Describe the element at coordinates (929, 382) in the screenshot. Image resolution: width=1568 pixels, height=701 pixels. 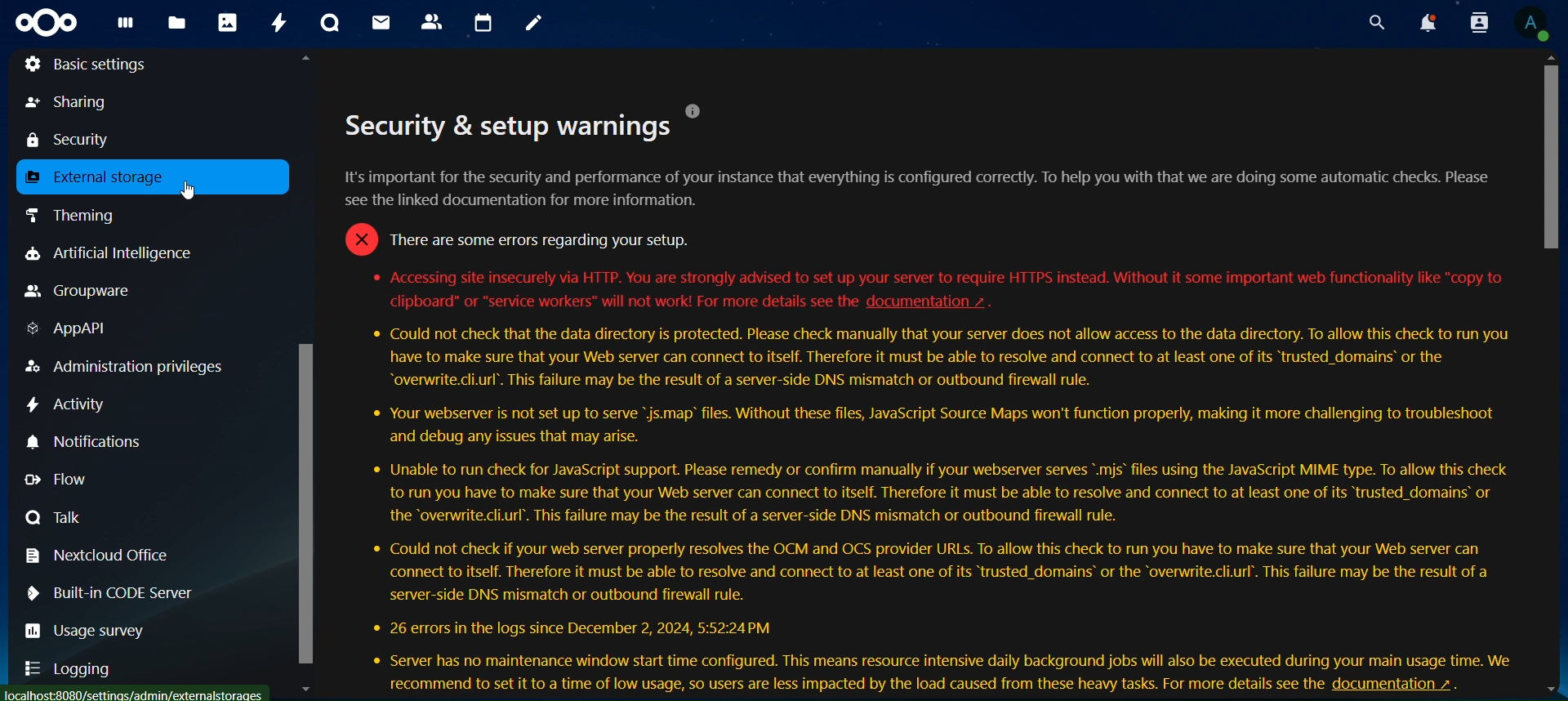
I see `. . [J]
Security & setup warnings
] It's important for the security and performance of your instance that everything is configured correctly. To help you with that we are doing some automatic checks. Please
see the linked documentation for more information.
[x] There are some errors regarding your setup.
e

* Accessing site insecurely via HTTP. You are strongly advised to set up your server to require HTTPS instead. Without it some important web functionality like “copy to
clipboard" or "service workers" will not work! For more details see the documentation ~ .

* Could not check that the data directory is protected. Please check manually that your server does not allow access to the data directory. To allow this check to run you

leges have to make sure that your Web server can connect to itself. Therefore it must be able to resolve and connect to at least one of its “trusted_domains’ or the
“overwrite.cli.url’. This failure may be the result of a server-side DNS mismatch or outbound firewall rule.

* Your webserver is not set up to serve "js.map’ files. Without these files, JavaScript Source Maps won't function properly, making it more challenging to troubleshoot
and debug any issues that may arise.

* Unable to run check for JavaScript support. Please remedy or confirm manually if your webserver serves ".mjs’ files using the JavaScript MIME type. To allow this check
to run you have to make sure that your Web server can connect to itself. Therefore it must be able to resolve and connect to at least one of its “trusted_domains™ or
the “overwrite cli.url’. This failure may be the result of a server-side DNS mismatch or outbound firewall rule.

* Could not check if your web server properly resolves the OCM and OCS provider URLs. To allow this check to run you have to make sure that your Web server can
connect to itself. Therefore it must be able to resolve and connect to at least one of its “trusted_domains™ or the “overwrite.cli.url’. This failure may be the result of a

: server-side DNS mismatch or outbound firewall rule.
* 26 errors in the logs since December 2, 2024, 5:52:24 PM
* Server has no maintenance window start time configured. This means resource intensive daily background jobs will also be executed during your main usage time. We
_ recommend to set it to a time of low usage. so users are less impacted by the load caused from these heavy tasks. For more details see the documentation ~ .` at that location.